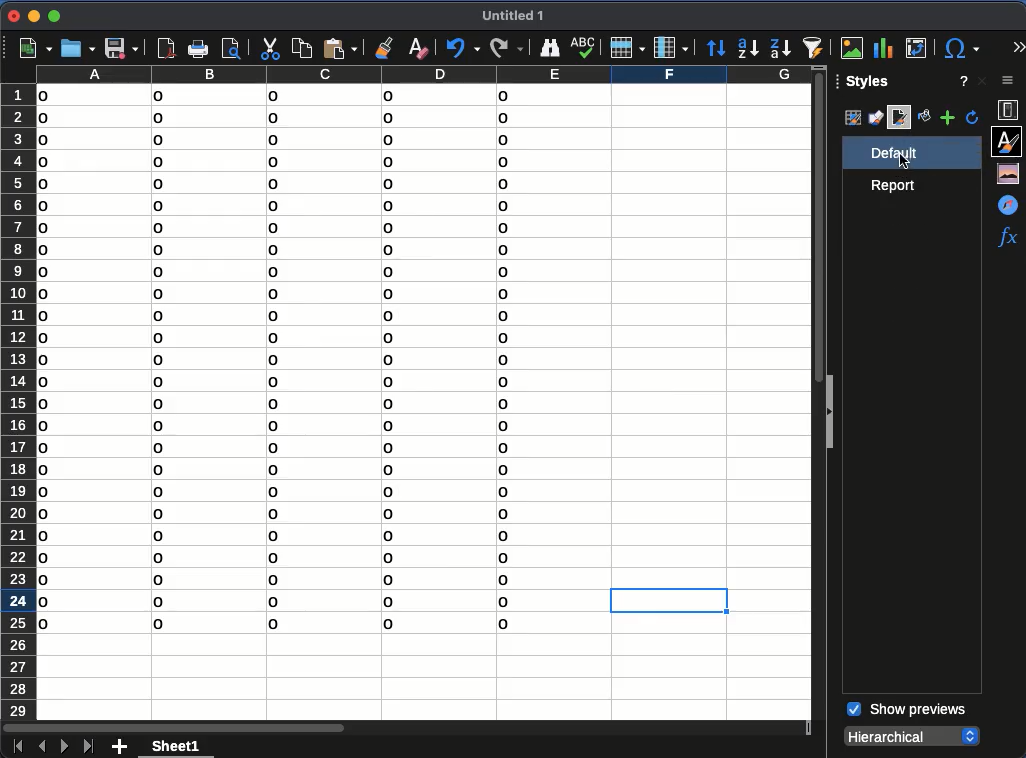 This screenshot has width=1026, height=758. I want to click on pivot table, so click(918, 48).